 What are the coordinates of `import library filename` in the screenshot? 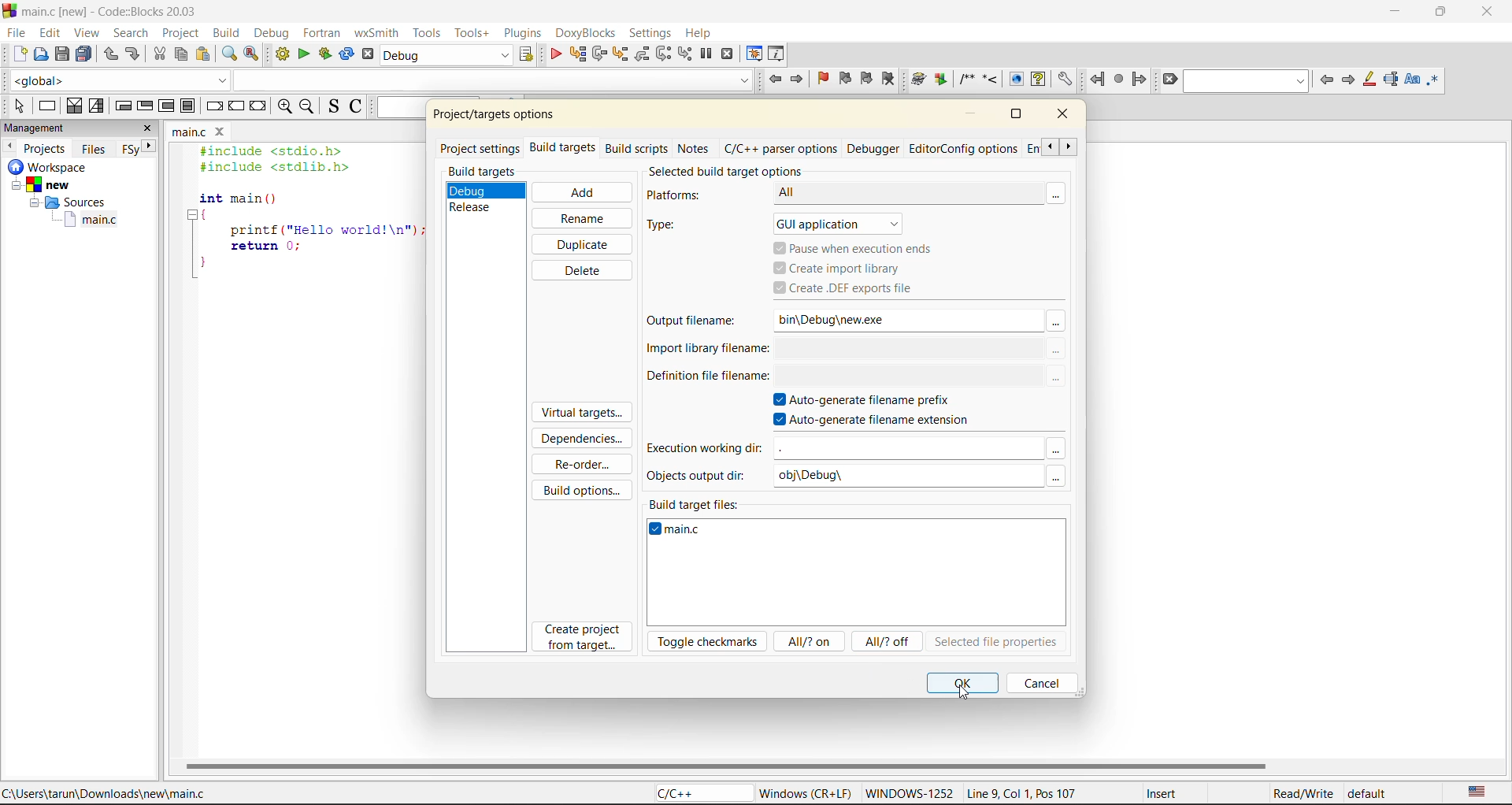 It's located at (708, 347).